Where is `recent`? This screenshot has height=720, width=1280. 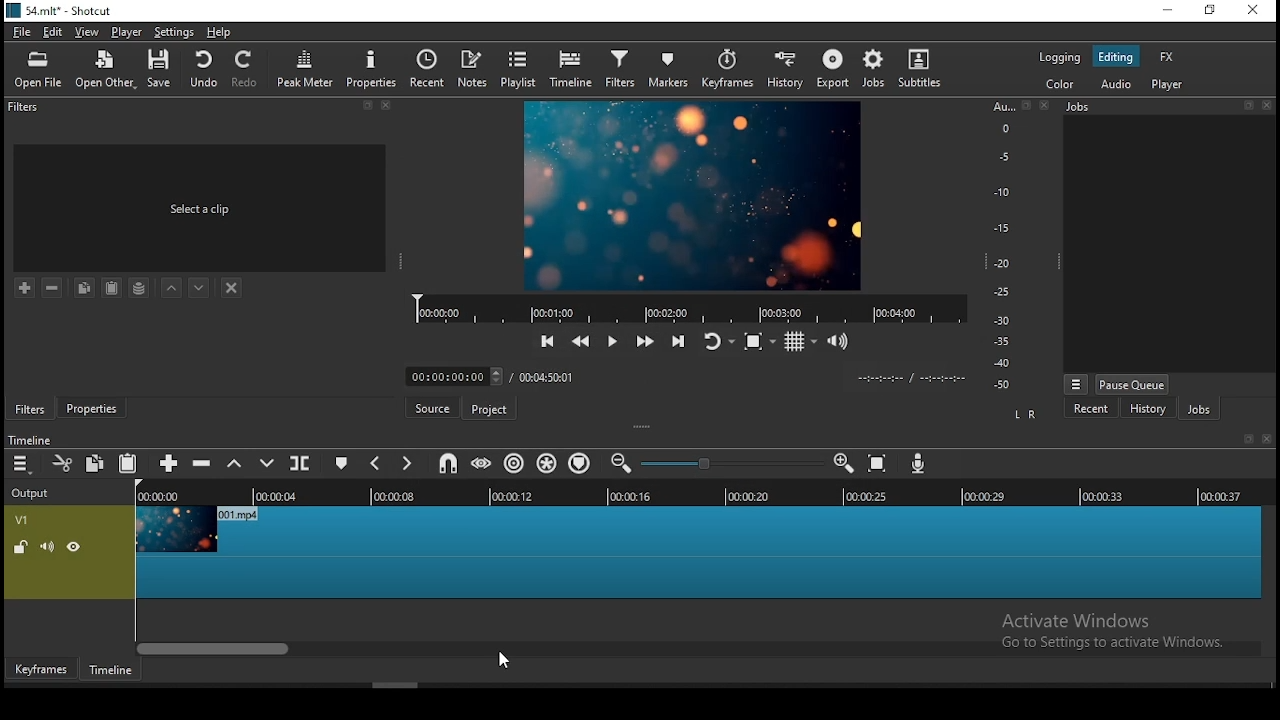
recent is located at coordinates (427, 66).